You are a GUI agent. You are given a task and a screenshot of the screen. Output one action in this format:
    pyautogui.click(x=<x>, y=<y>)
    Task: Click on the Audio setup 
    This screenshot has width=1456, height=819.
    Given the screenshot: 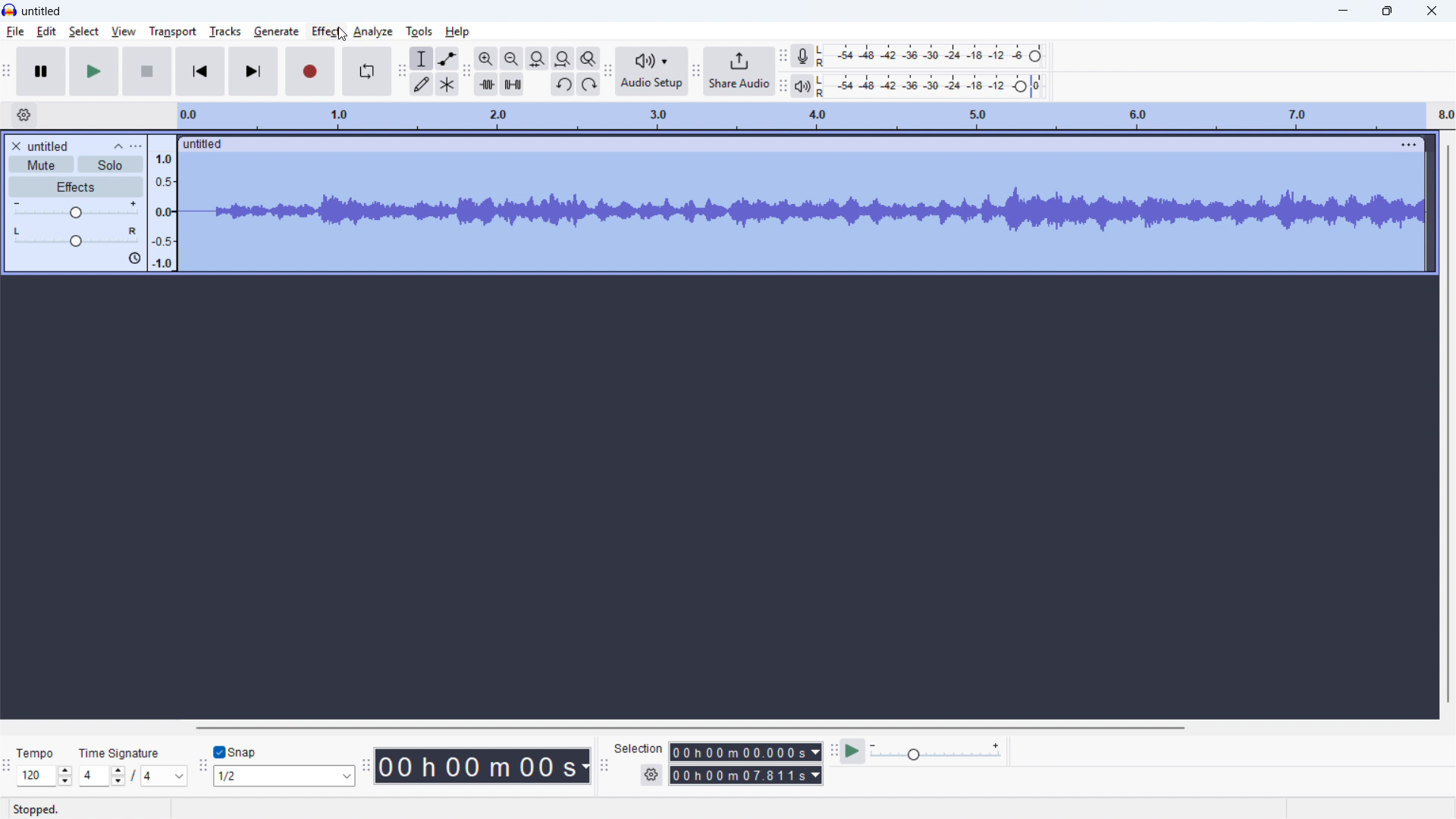 What is the action you would take?
    pyautogui.click(x=651, y=71)
    